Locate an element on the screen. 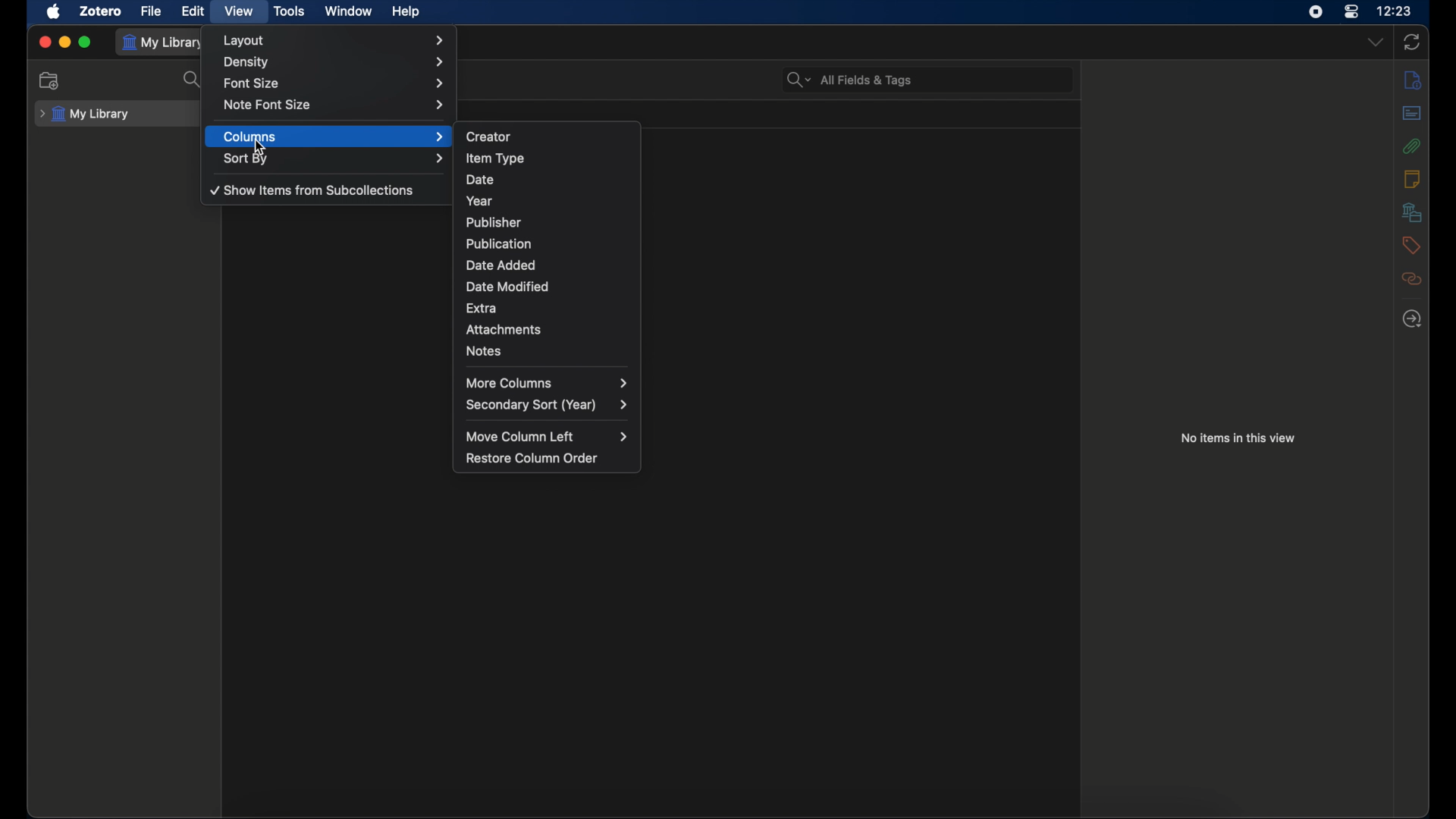 Image resolution: width=1456 pixels, height=819 pixels. file is located at coordinates (152, 12).